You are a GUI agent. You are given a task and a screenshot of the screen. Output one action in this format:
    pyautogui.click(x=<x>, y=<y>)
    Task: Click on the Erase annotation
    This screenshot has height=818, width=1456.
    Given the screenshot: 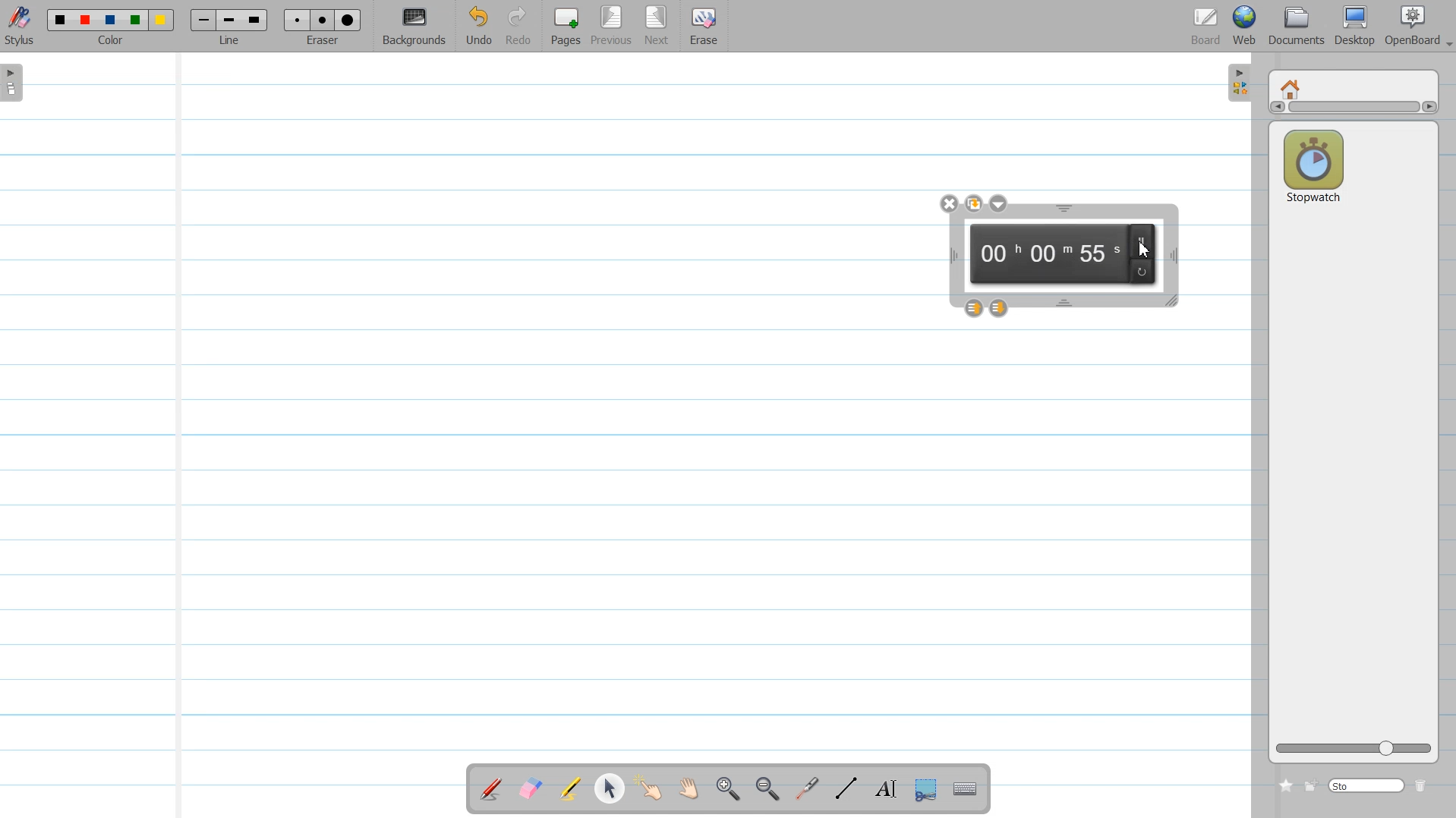 What is the action you would take?
    pyautogui.click(x=529, y=788)
    